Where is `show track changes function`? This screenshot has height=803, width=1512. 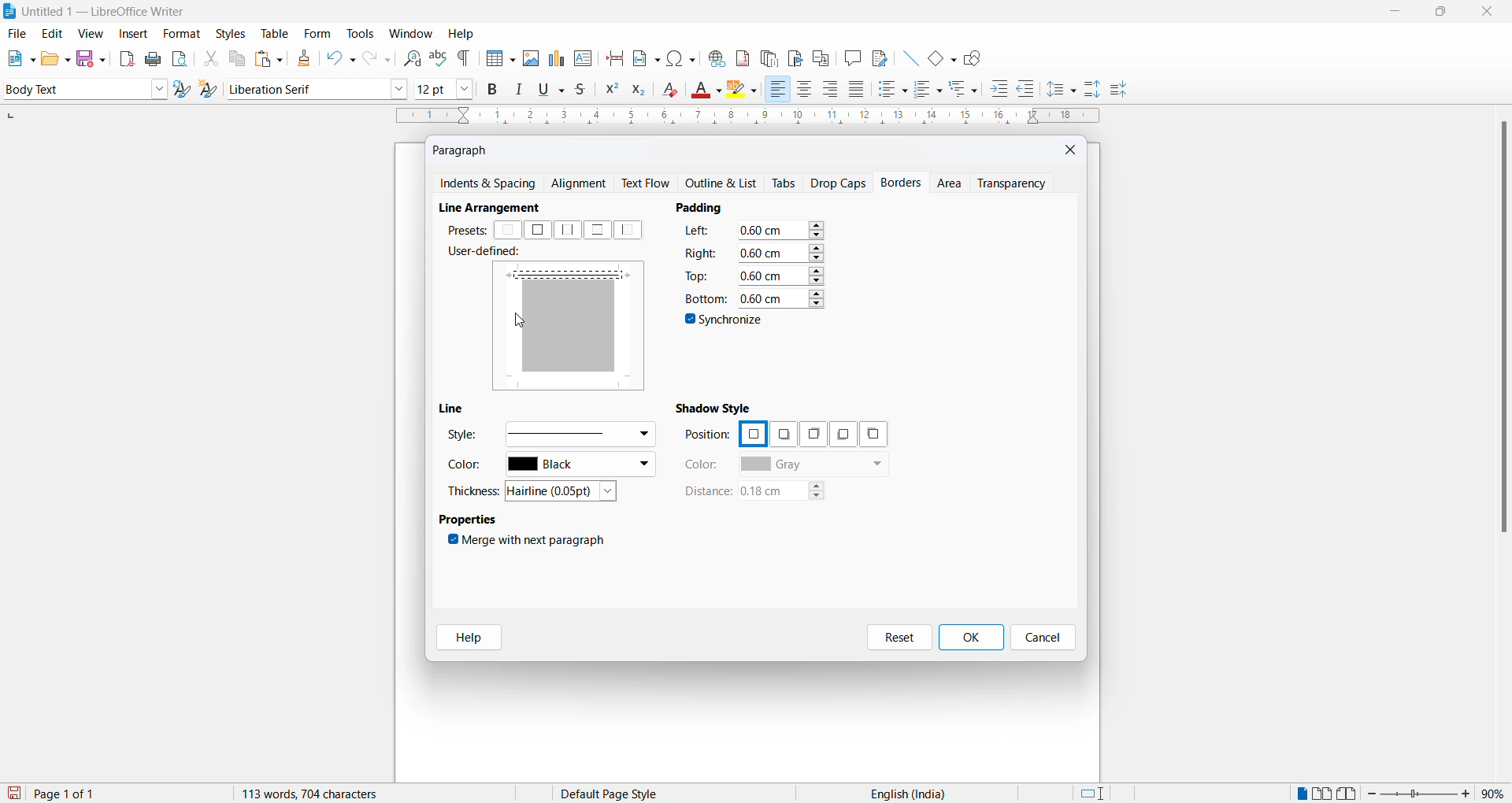 show track changes function is located at coordinates (821, 57).